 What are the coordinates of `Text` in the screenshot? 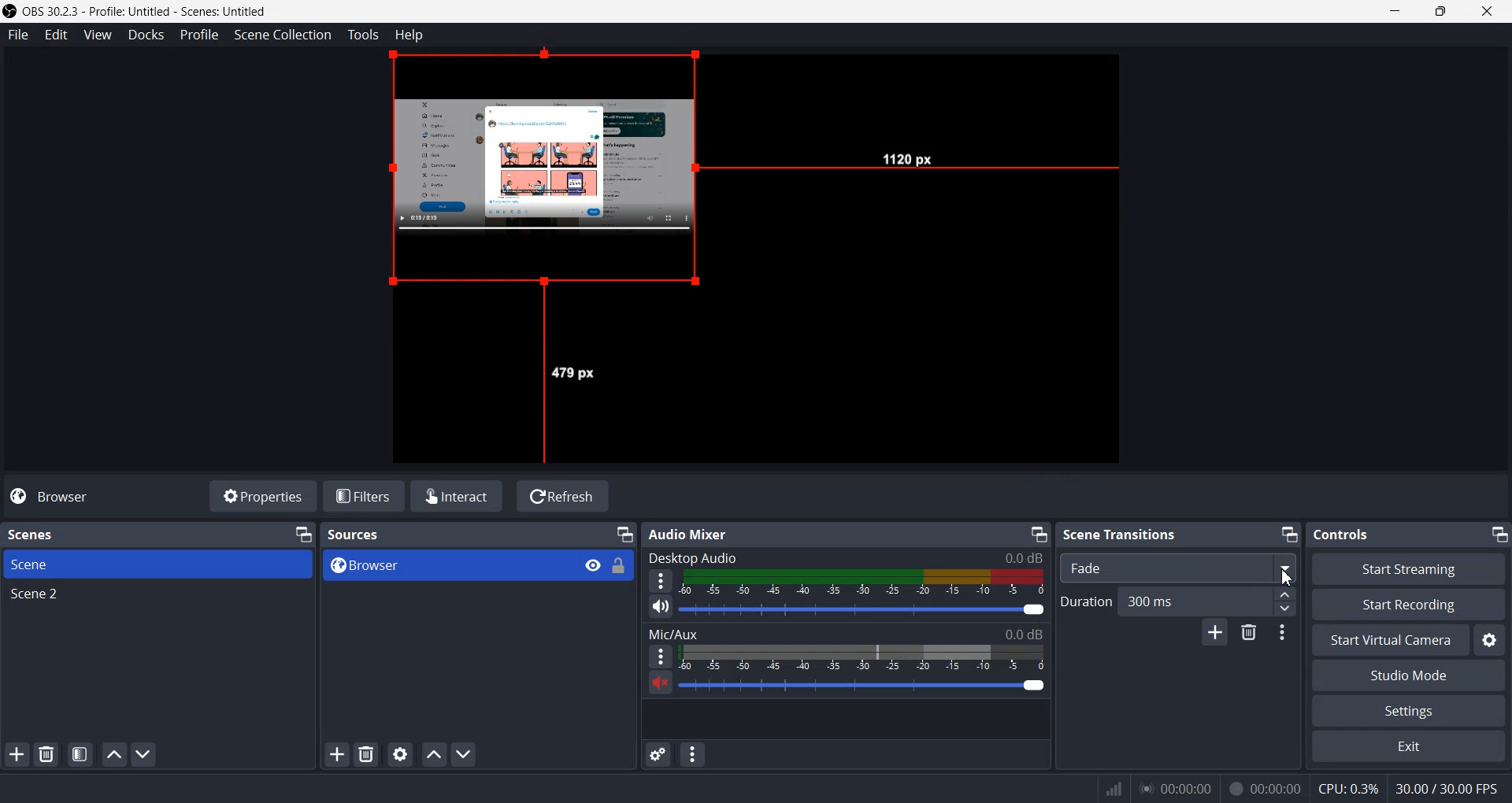 It's located at (1119, 533).